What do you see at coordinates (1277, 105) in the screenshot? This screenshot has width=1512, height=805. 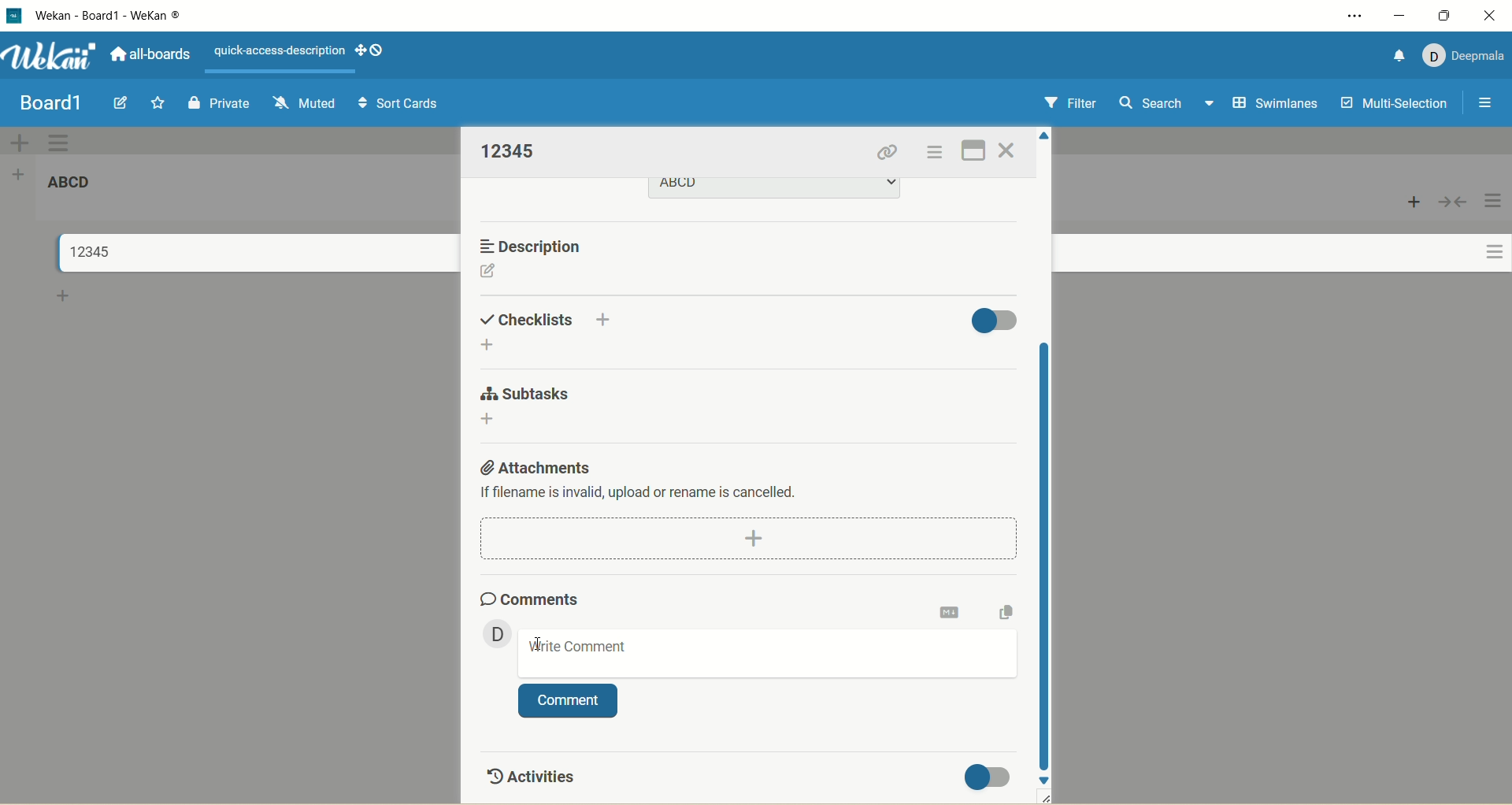 I see `swimlanes` at bounding box center [1277, 105].